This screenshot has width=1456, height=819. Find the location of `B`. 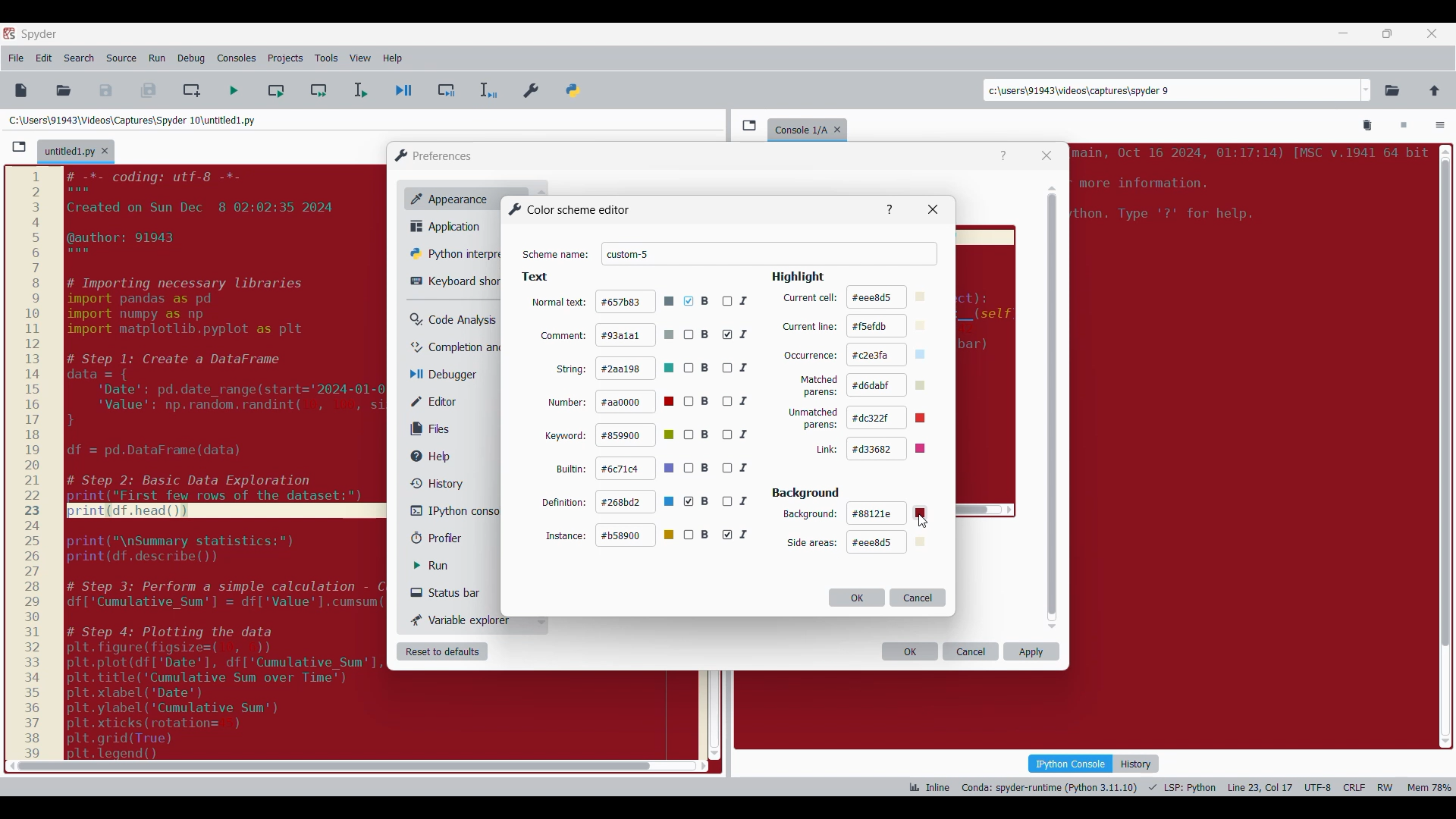

B is located at coordinates (697, 469).